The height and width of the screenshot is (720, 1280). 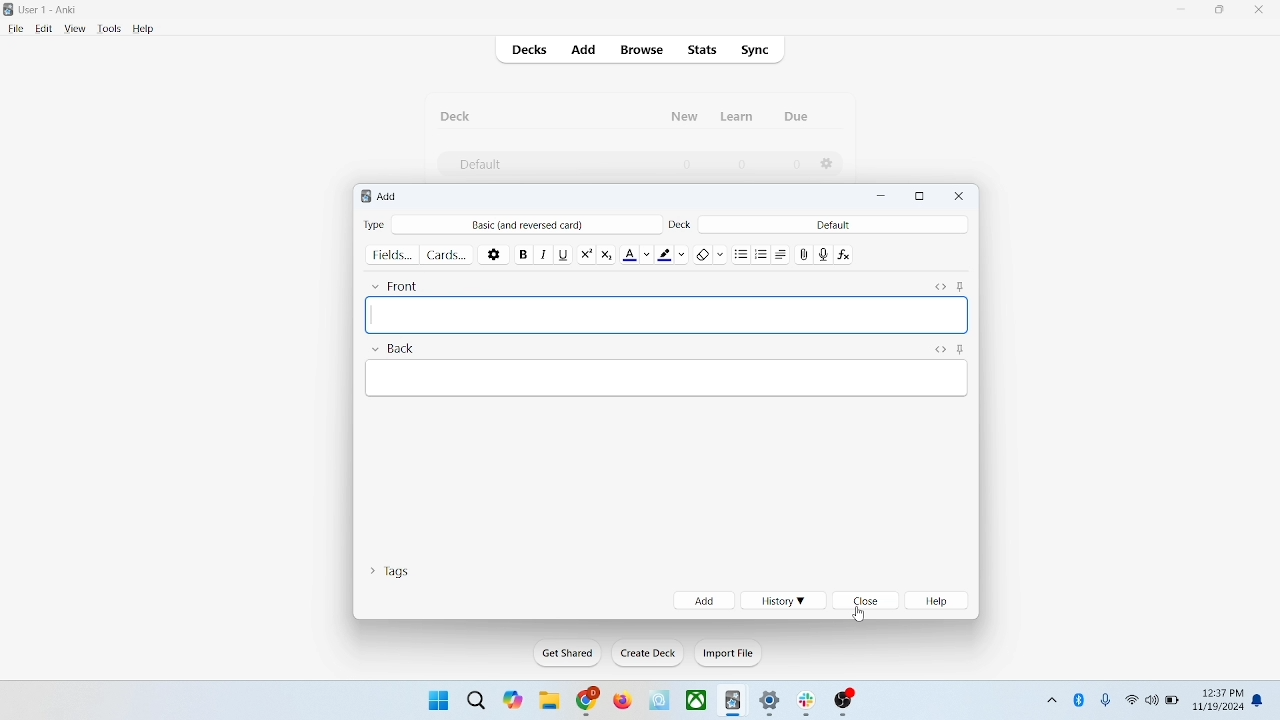 I want to click on HTML editor, so click(x=939, y=348).